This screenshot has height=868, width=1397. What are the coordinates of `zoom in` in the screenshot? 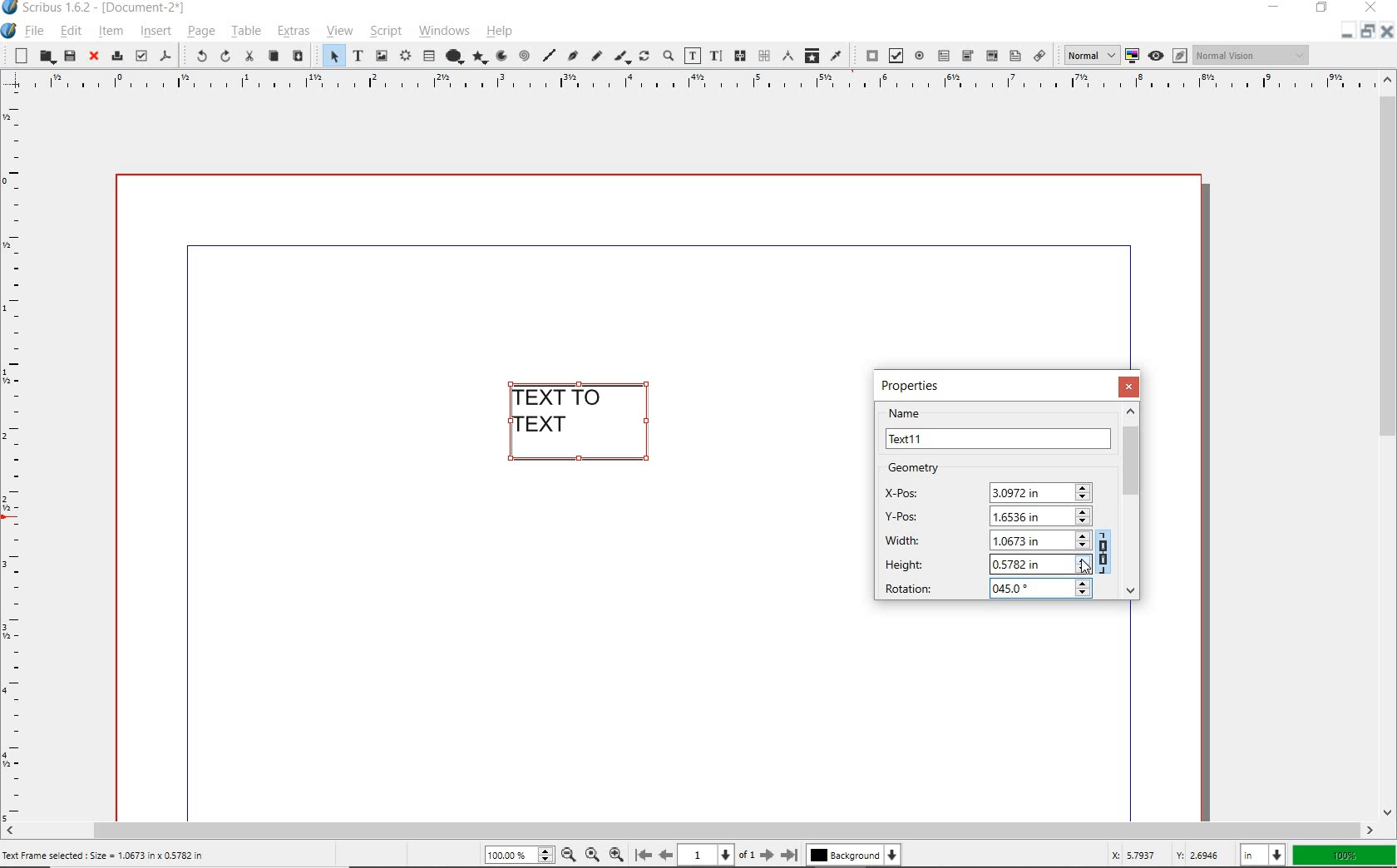 It's located at (620, 852).